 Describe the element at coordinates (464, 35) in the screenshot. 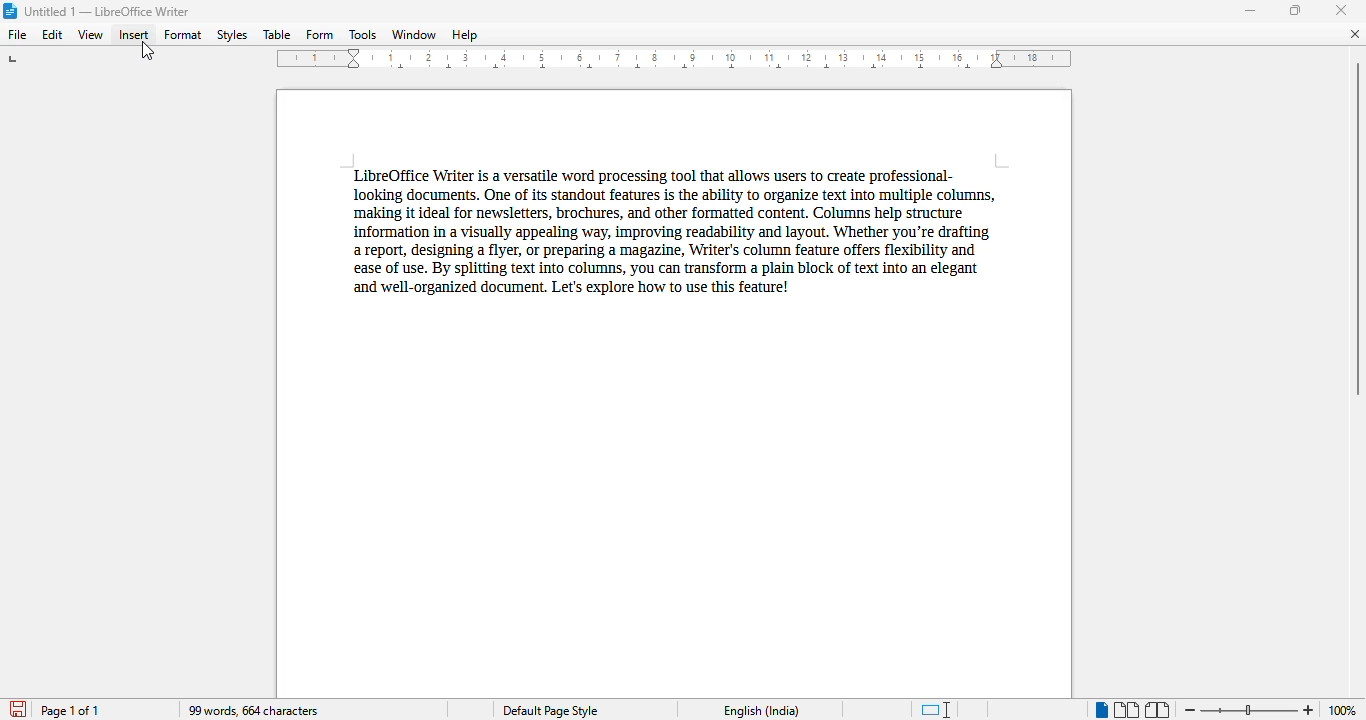

I see `help` at that location.